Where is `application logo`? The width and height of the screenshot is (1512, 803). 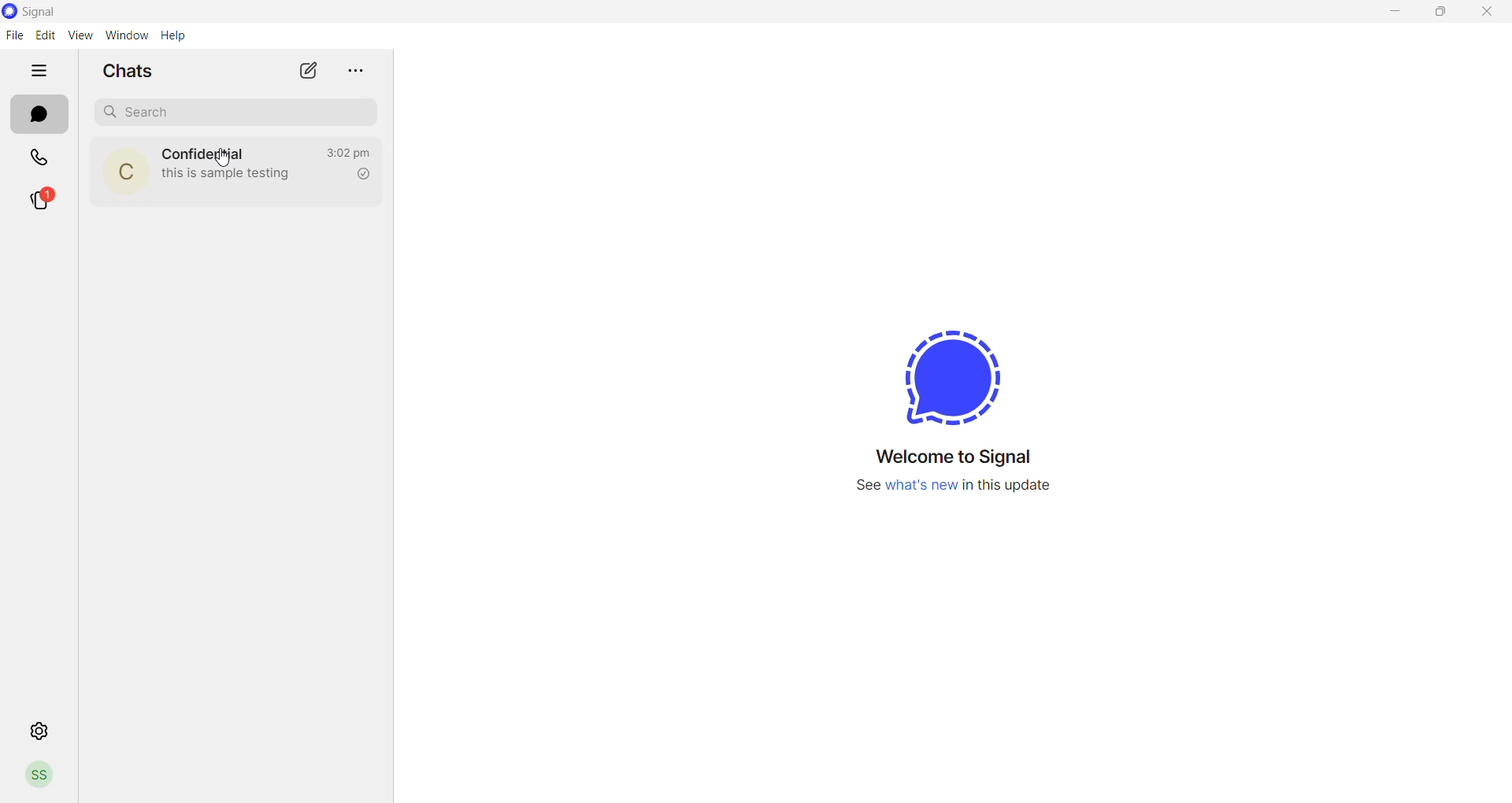 application logo is located at coordinates (943, 375).